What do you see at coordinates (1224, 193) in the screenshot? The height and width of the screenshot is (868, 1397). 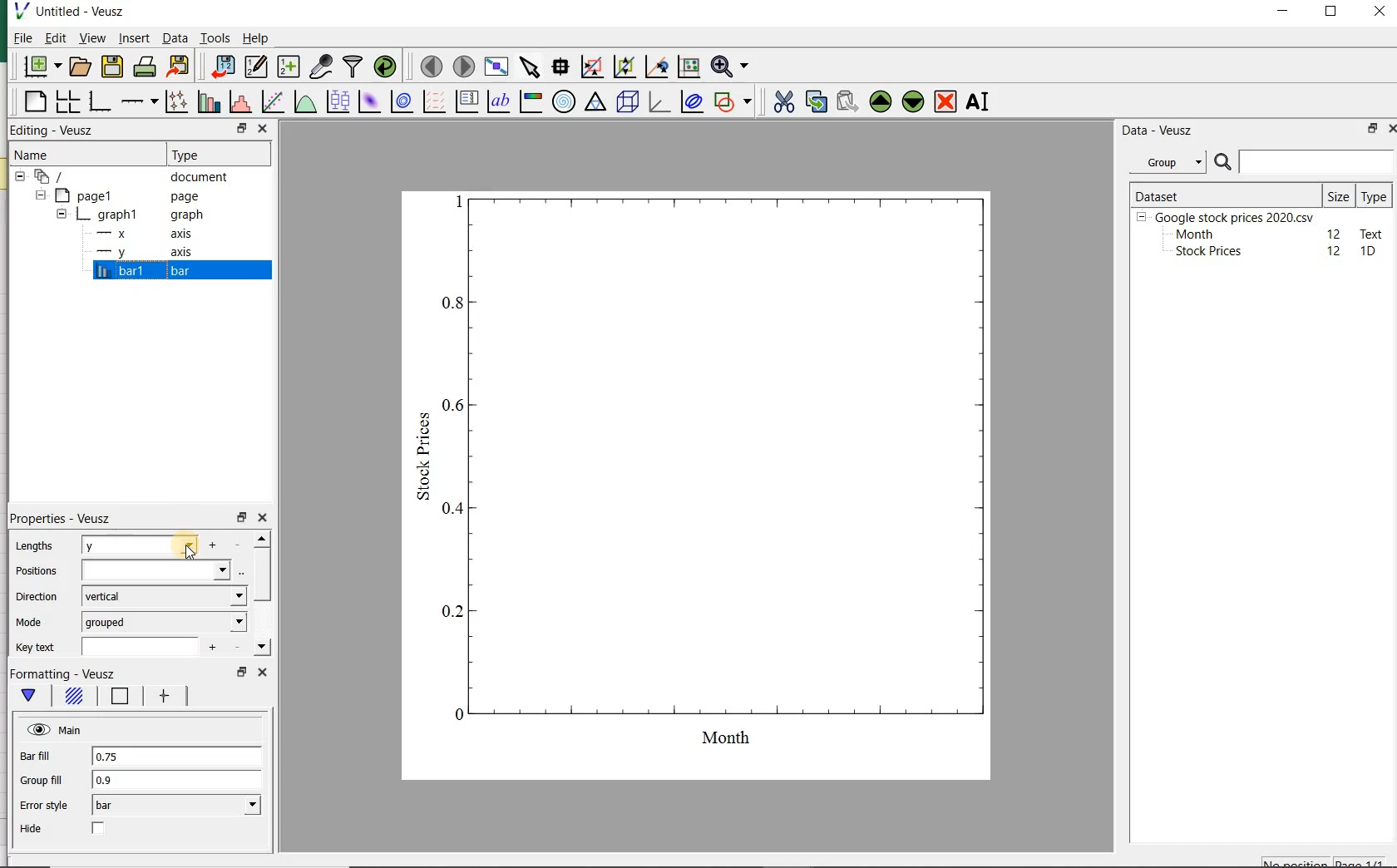 I see `DATASET` at bounding box center [1224, 193].